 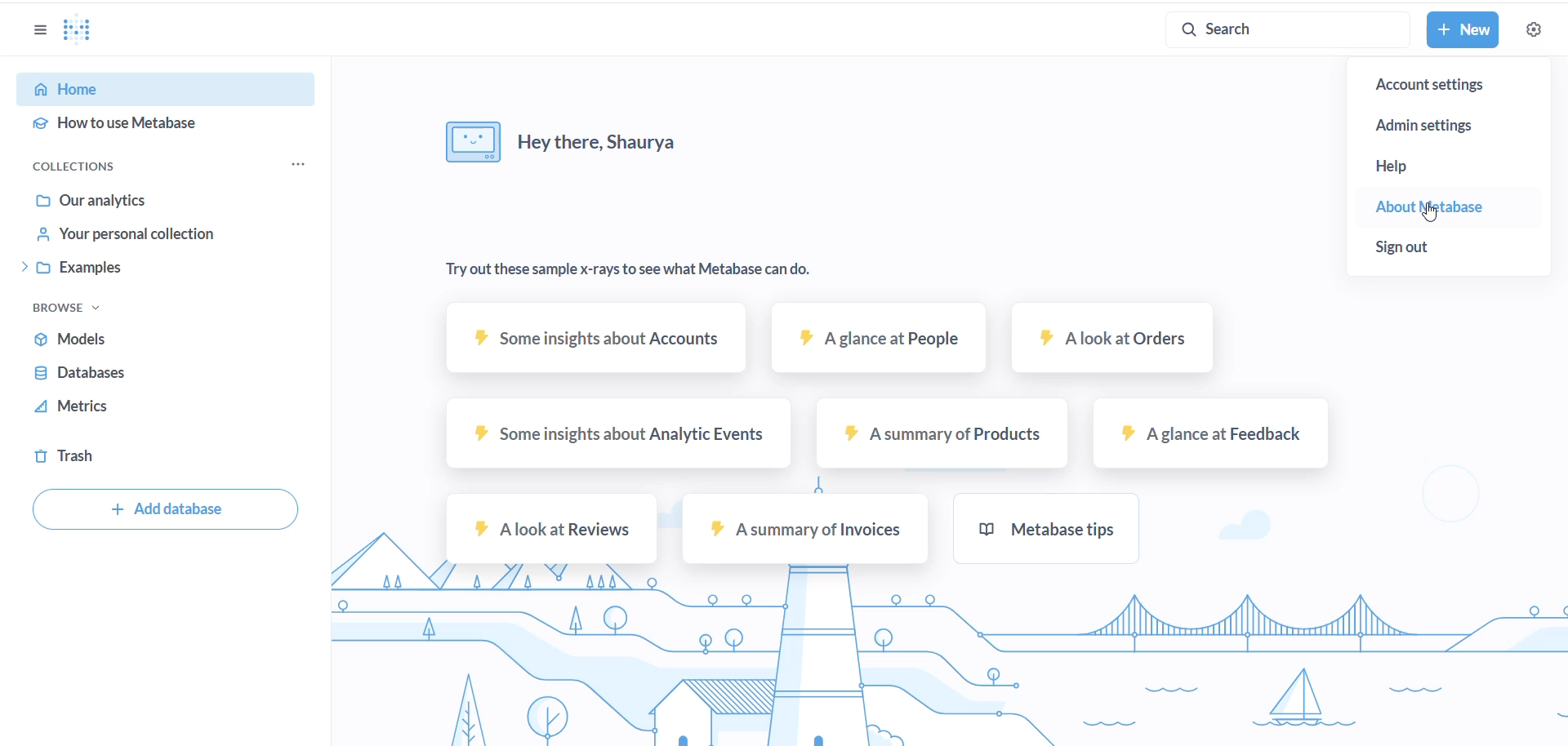 What do you see at coordinates (561, 143) in the screenshot?
I see `Hey there, Shaurya` at bounding box center [561, 143].